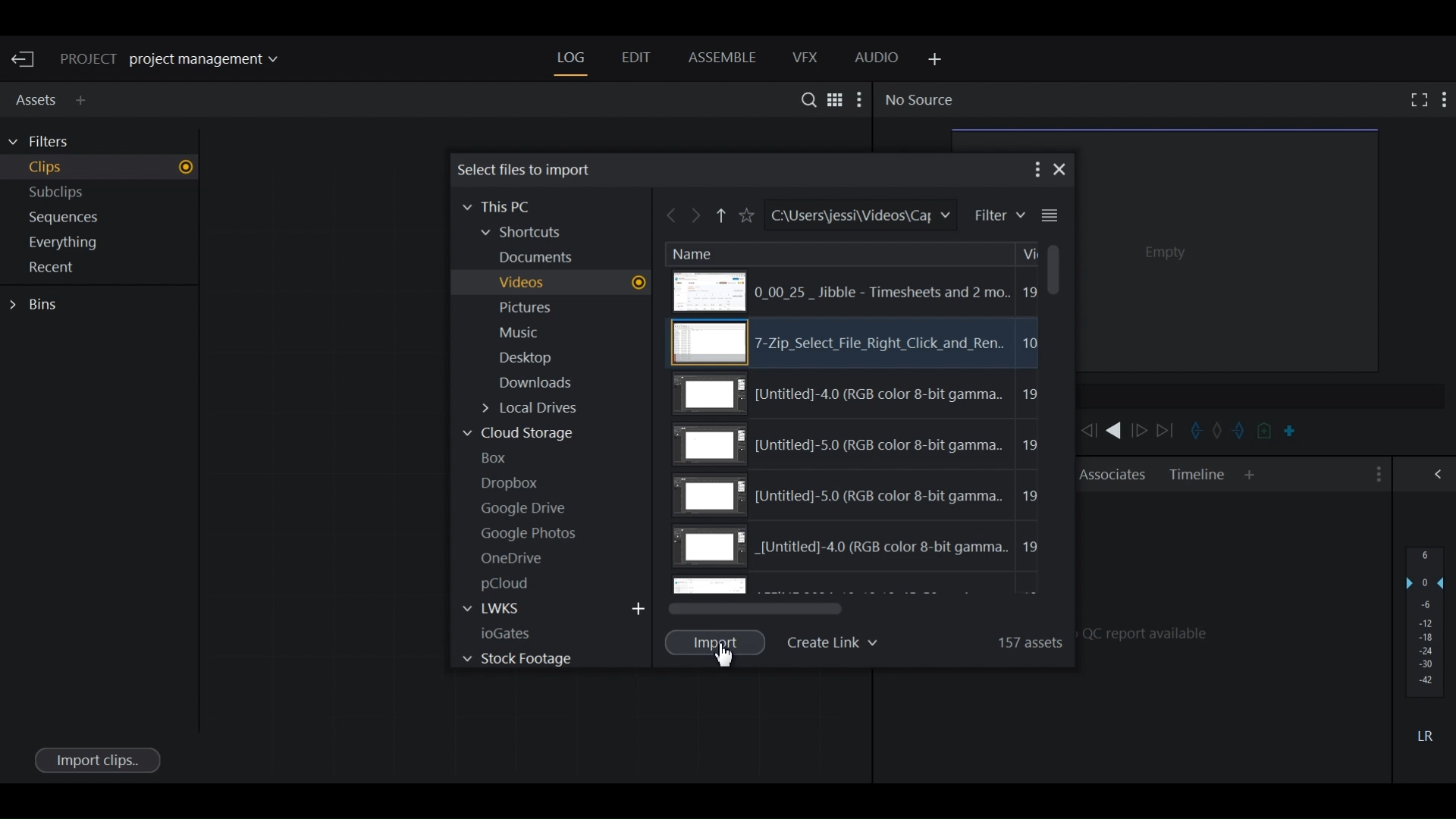  Describe the element at coordinates (501, 457) in the screenshot. I see `Box` at that location.